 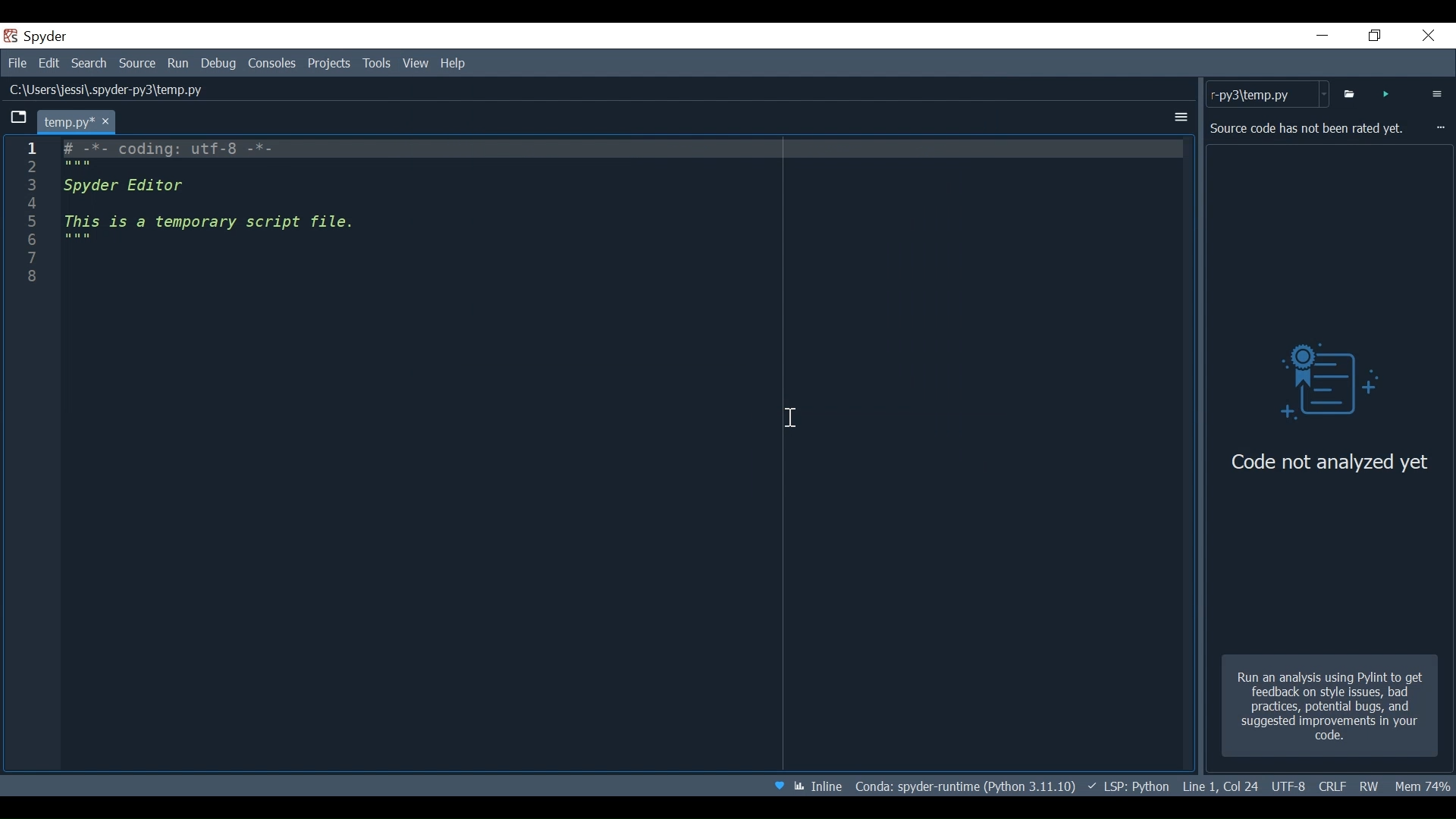 I want to click on File EQL Status, so click(x=1327, y=786).